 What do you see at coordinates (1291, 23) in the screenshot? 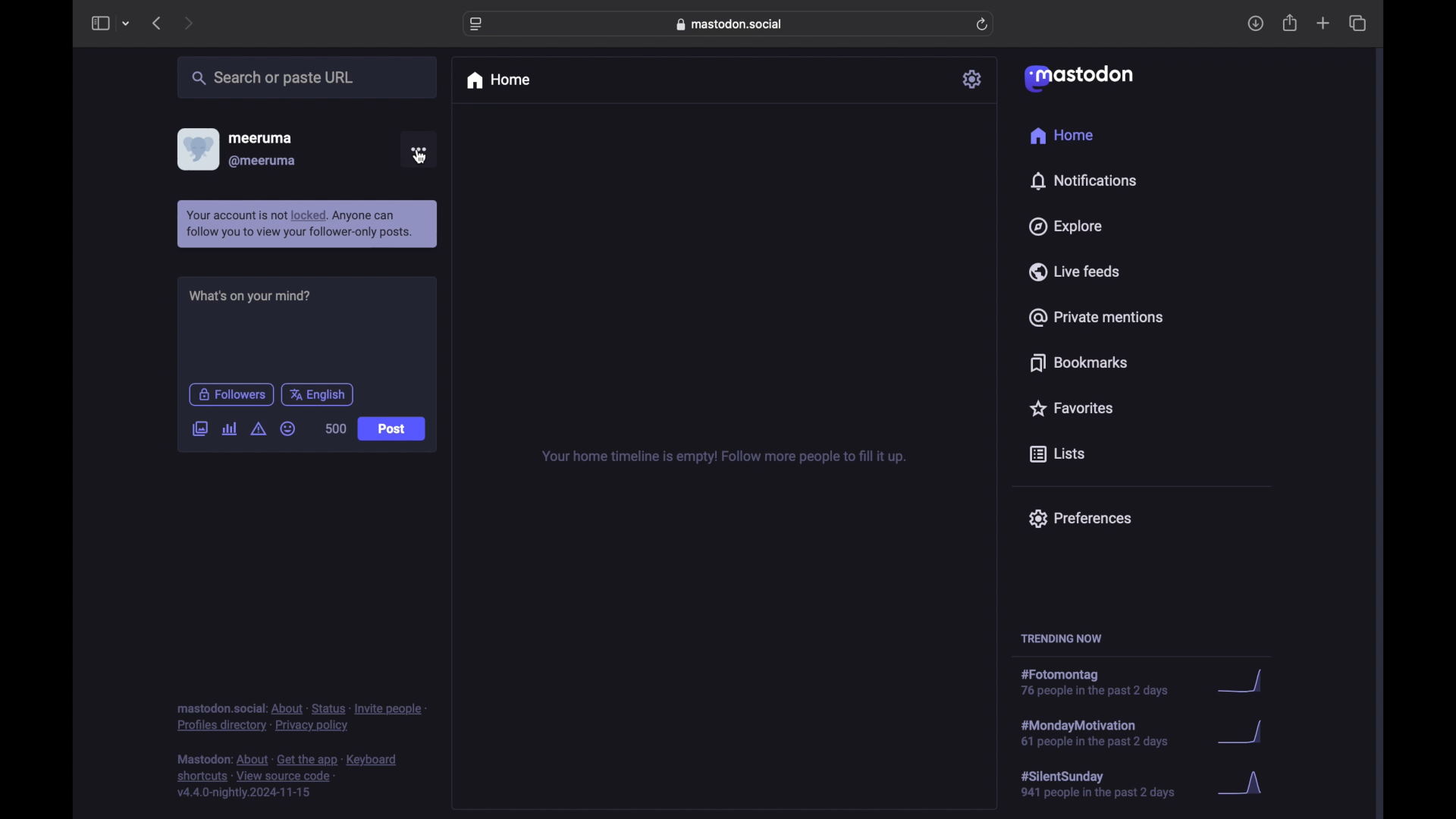
I see `share` at bounding box center [1291, 23].